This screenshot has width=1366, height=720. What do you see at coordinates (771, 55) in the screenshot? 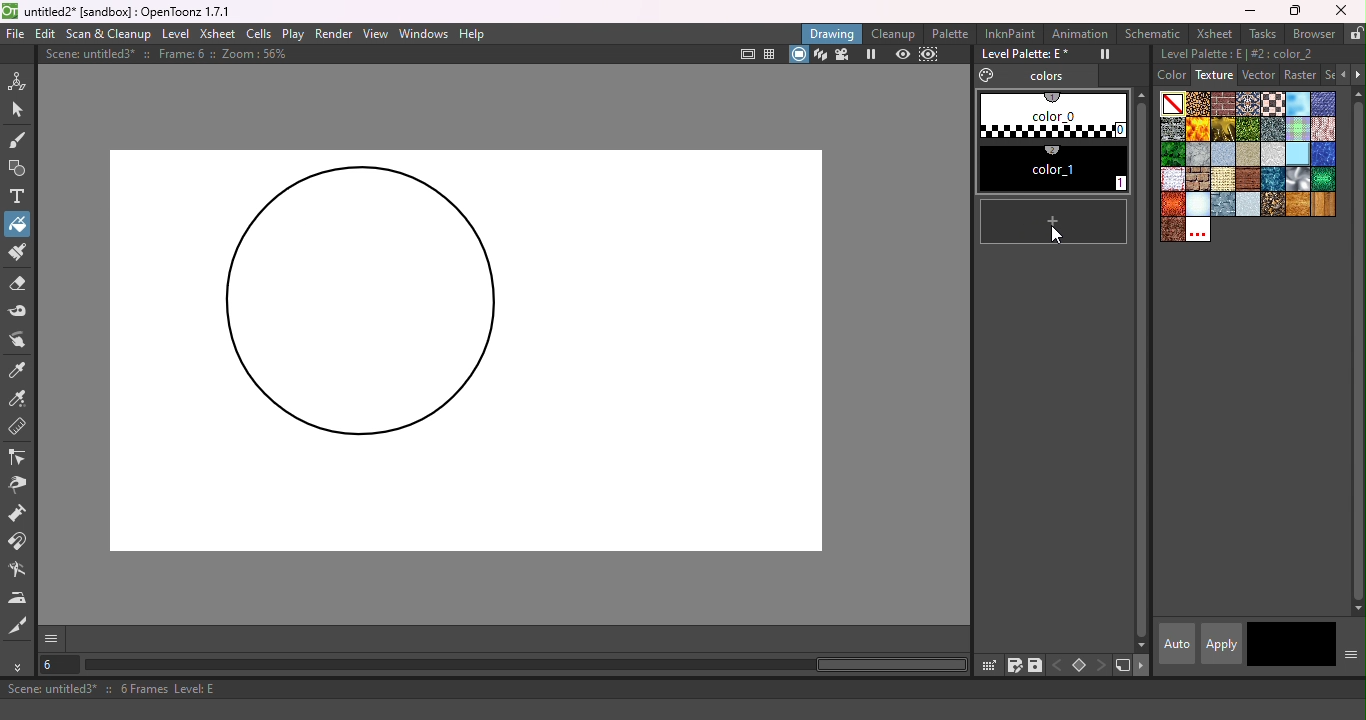
I see `Field guide` at bounding box center [771, 55].